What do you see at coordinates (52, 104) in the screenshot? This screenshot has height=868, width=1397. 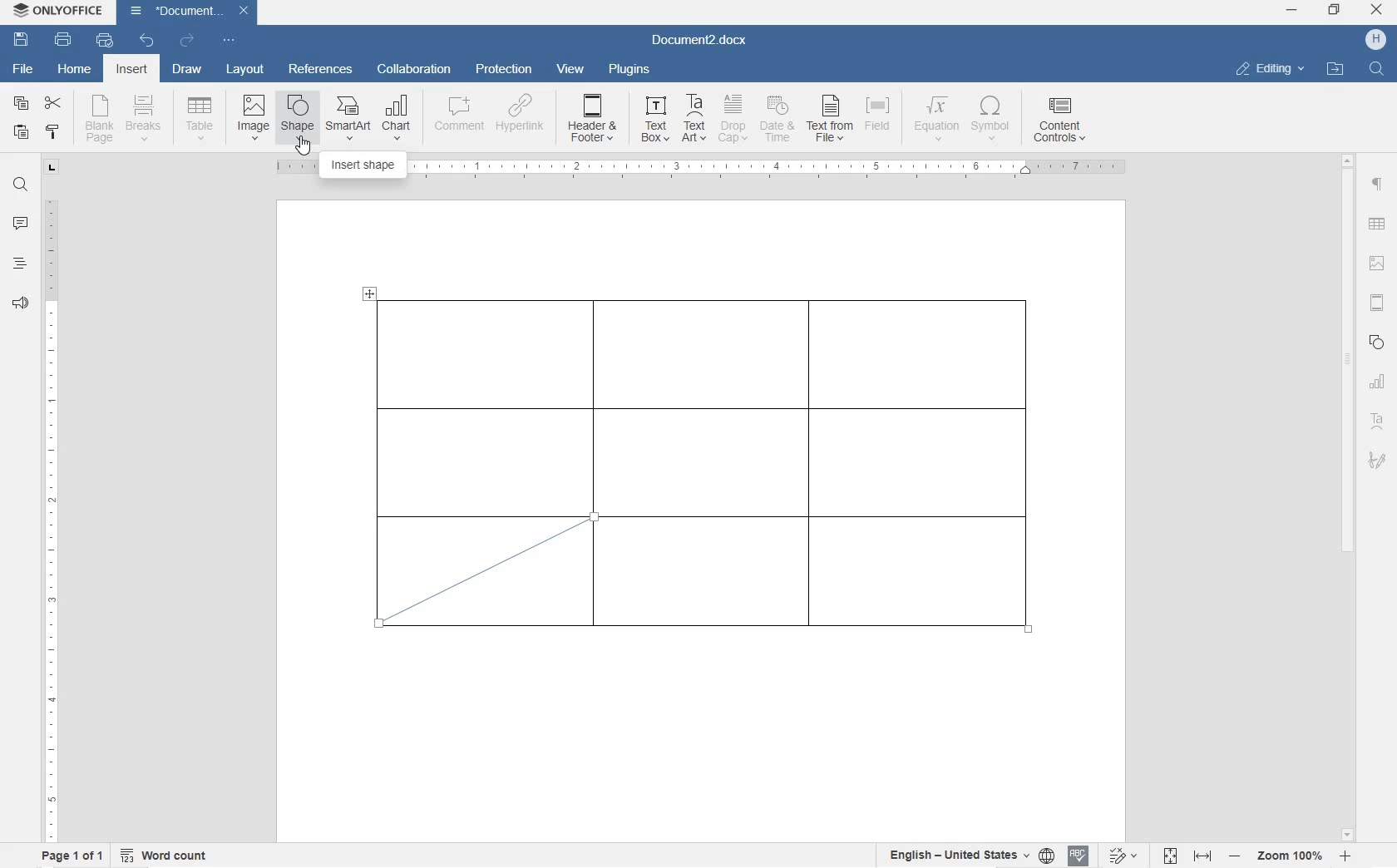 I see `cut` at bounding box center [52, 104].